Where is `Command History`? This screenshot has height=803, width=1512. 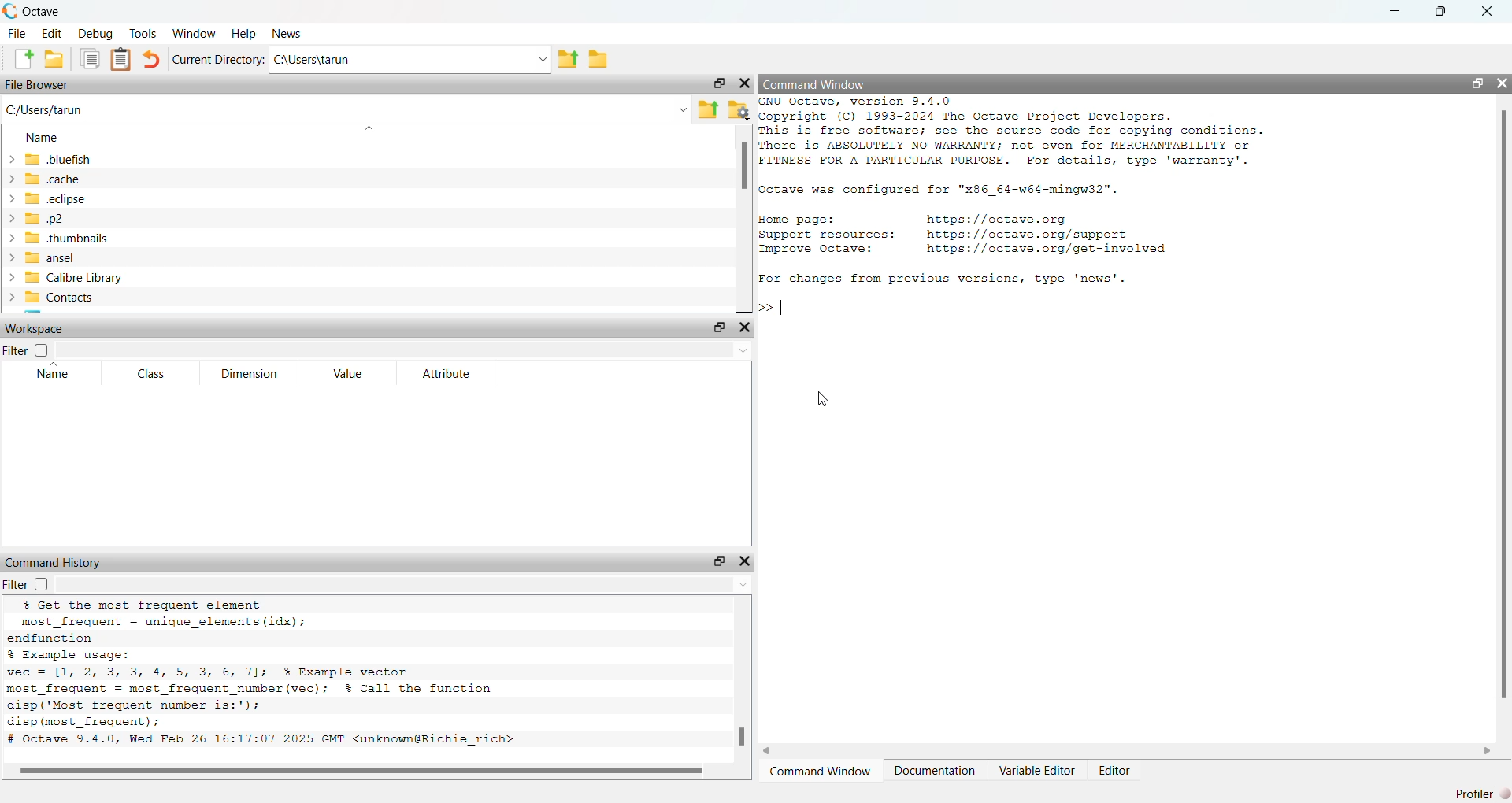
Command History is located at coordinates (54, 562).